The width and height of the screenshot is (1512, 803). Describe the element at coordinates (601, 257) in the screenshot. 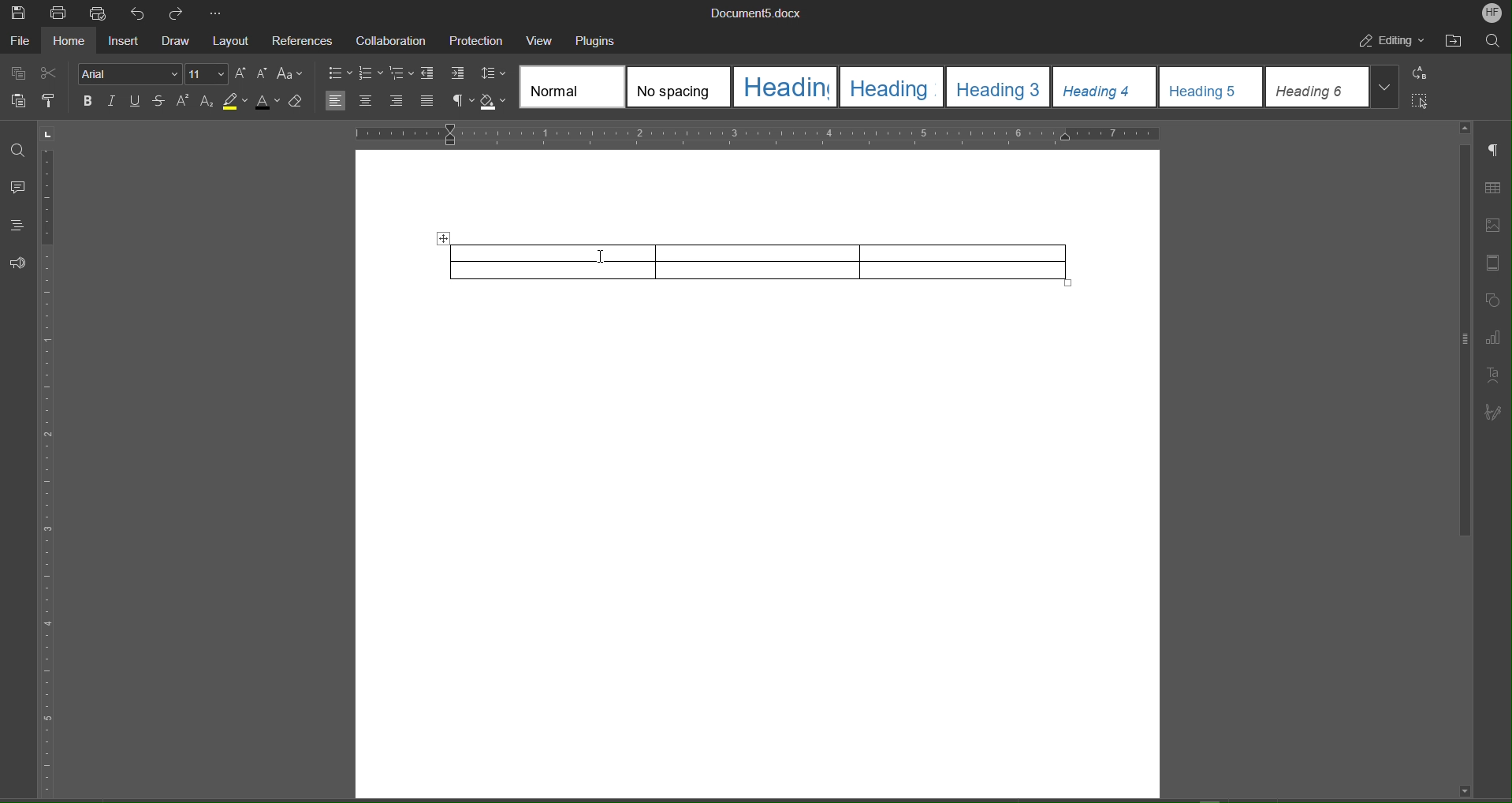

I see `Cursor` at that location.